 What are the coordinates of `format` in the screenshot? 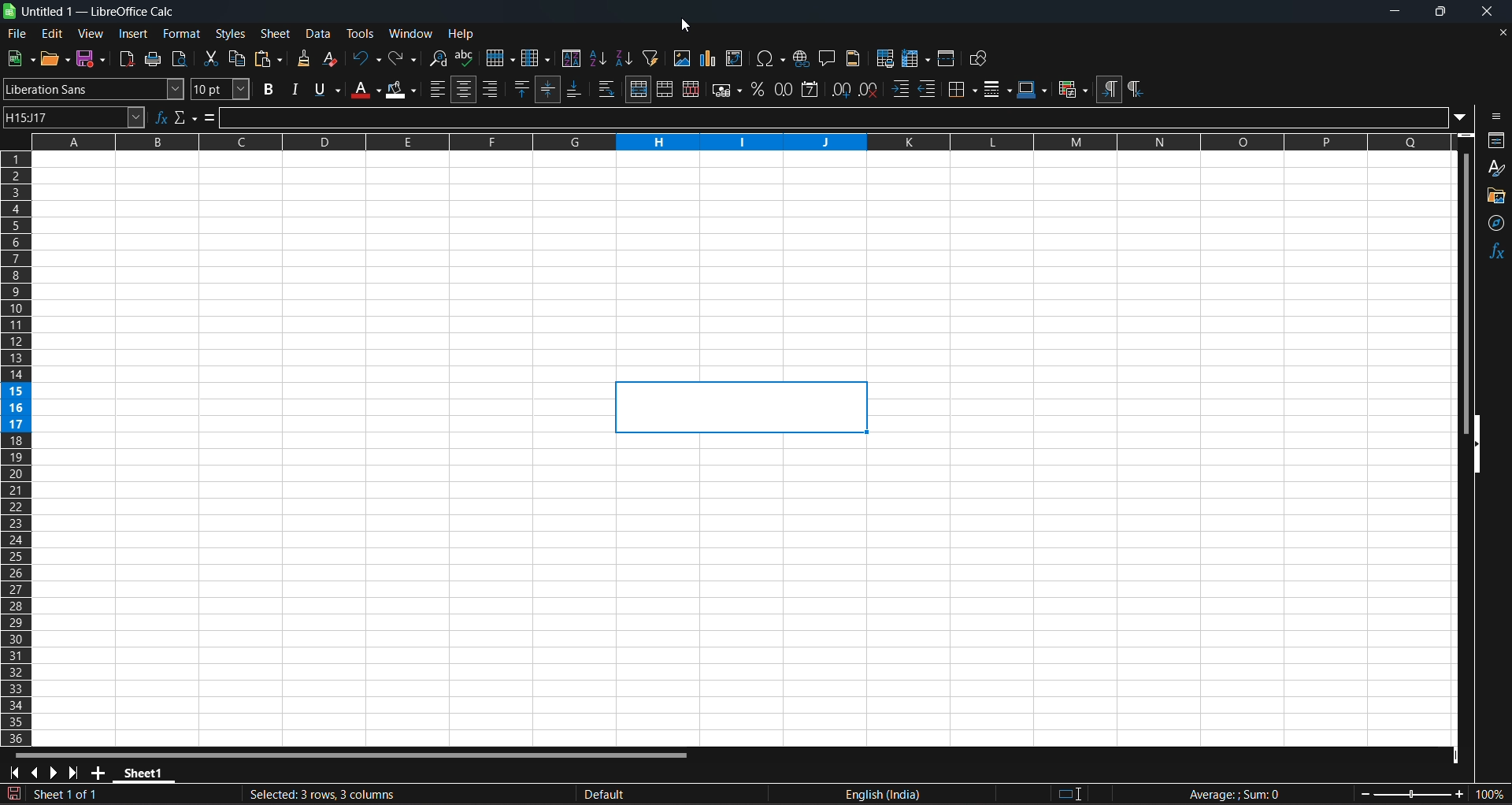 It's located at (183, 34).